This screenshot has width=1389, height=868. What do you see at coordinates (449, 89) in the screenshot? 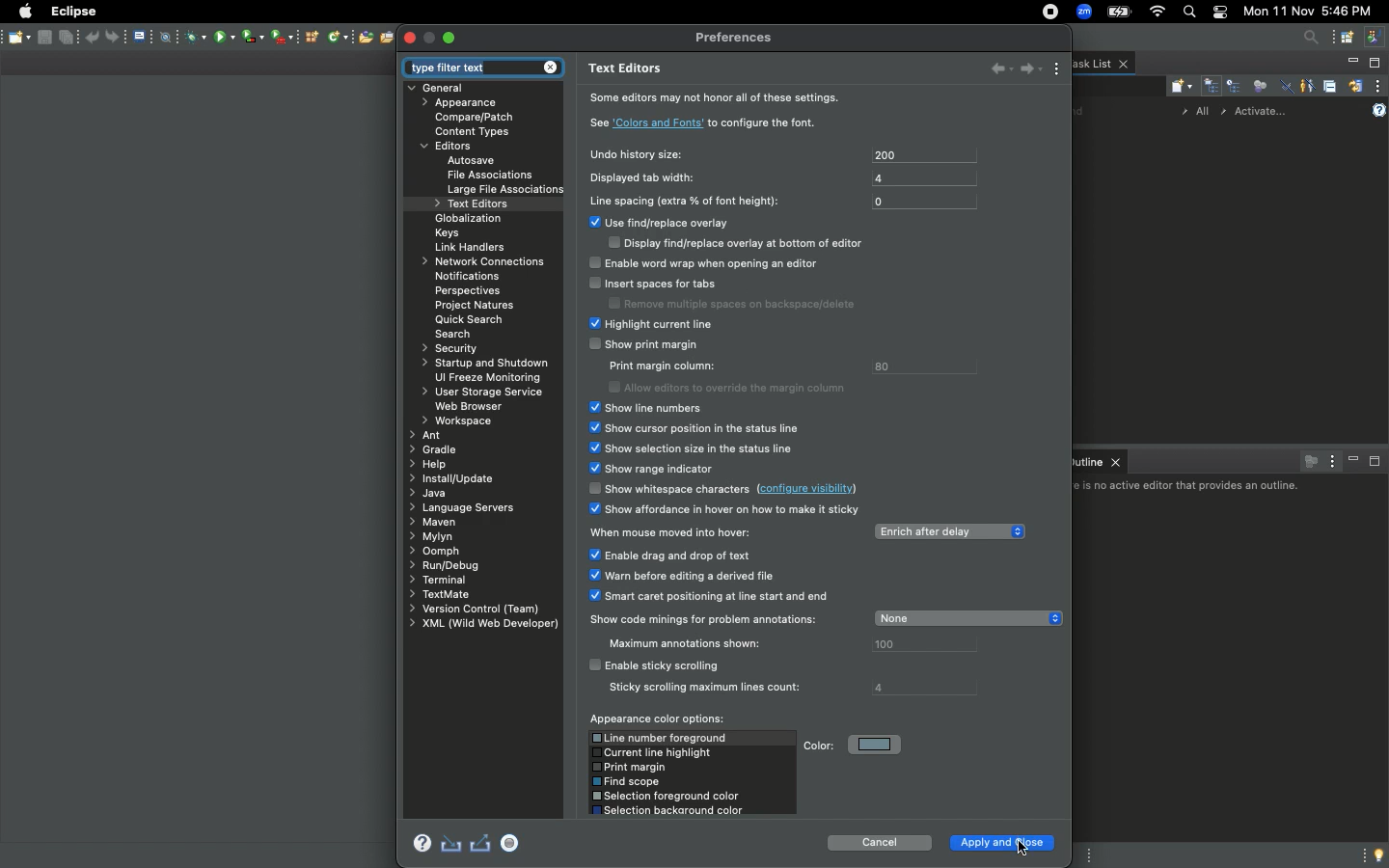
I see `General` at bounding box center [449, 89].